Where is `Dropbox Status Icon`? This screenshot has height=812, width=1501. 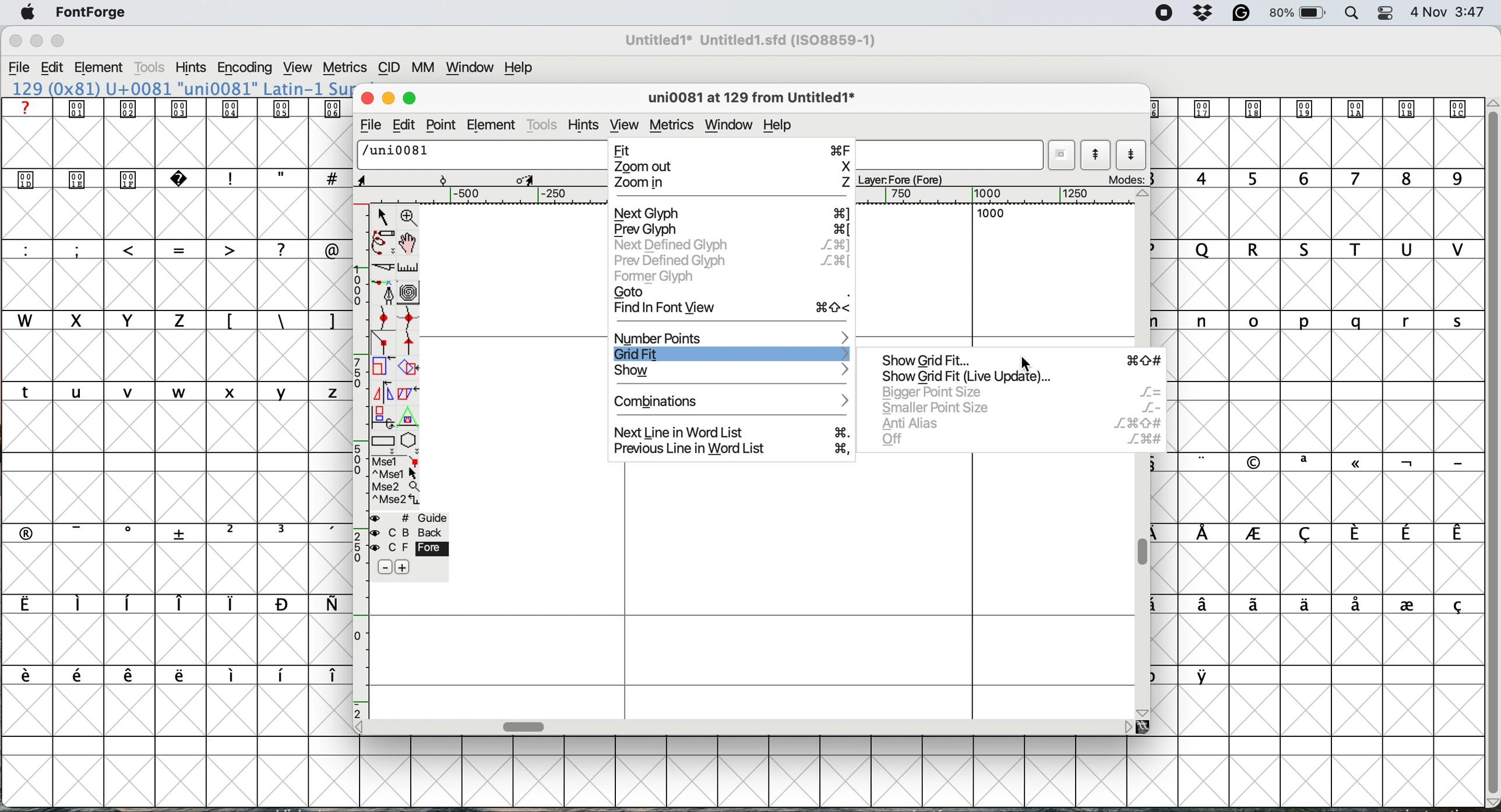
Dropbox Status Icon is located at coordinates (1204, 13).